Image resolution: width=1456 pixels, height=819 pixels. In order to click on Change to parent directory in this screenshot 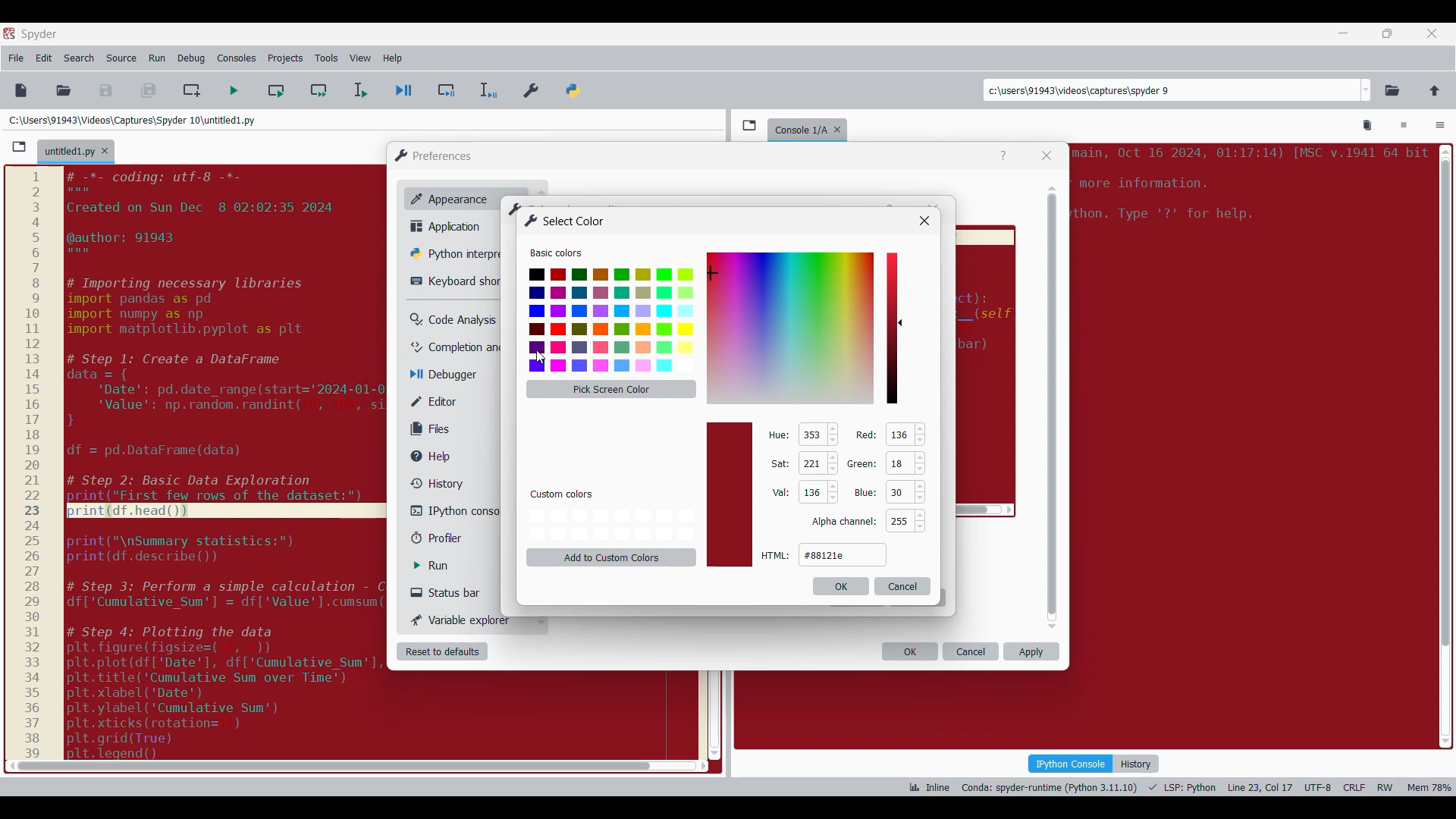, I will do `click(1435, 90)`.